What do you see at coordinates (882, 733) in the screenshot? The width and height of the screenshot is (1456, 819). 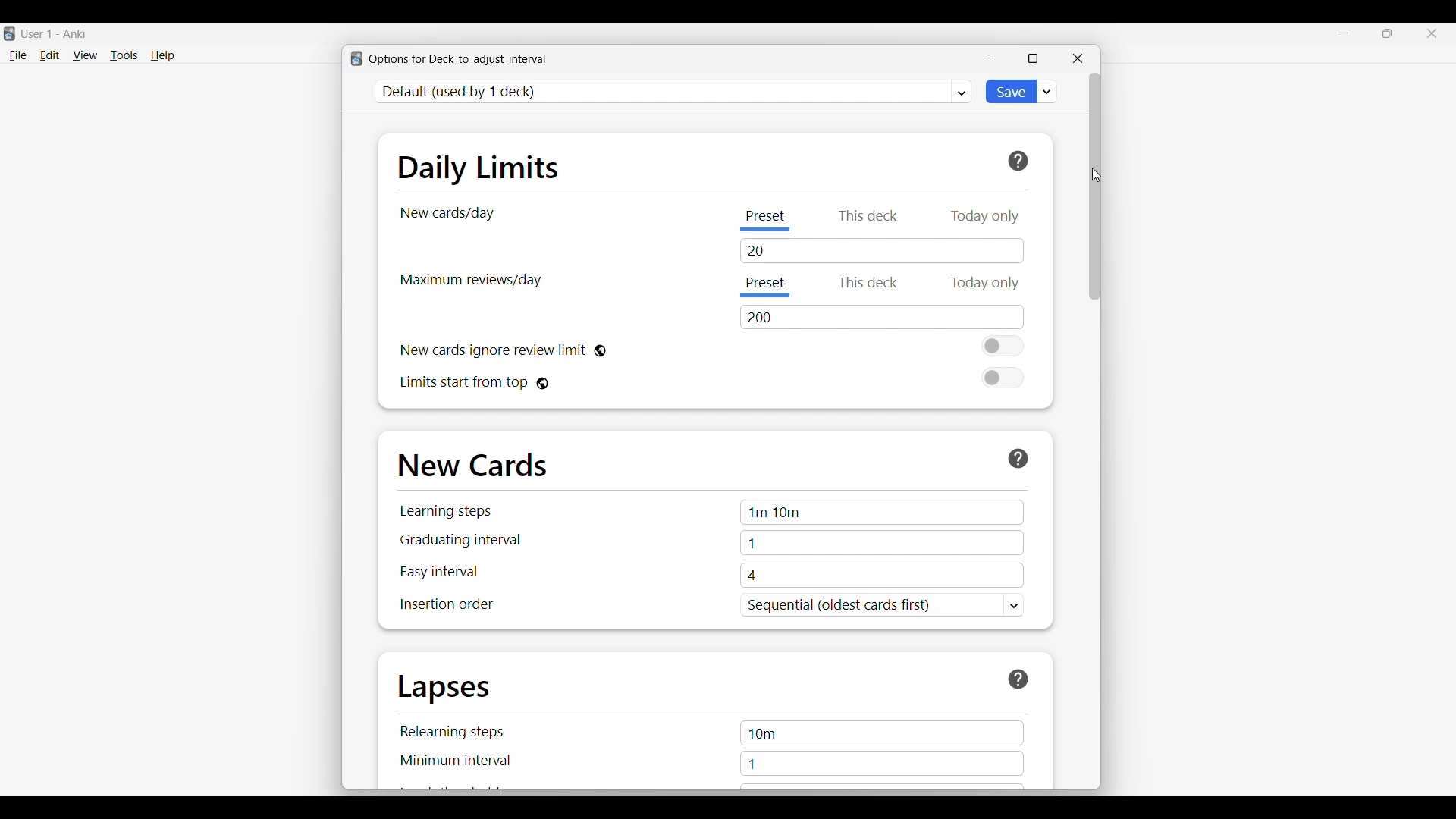 I see `10m` at bounding box center [882, 733].